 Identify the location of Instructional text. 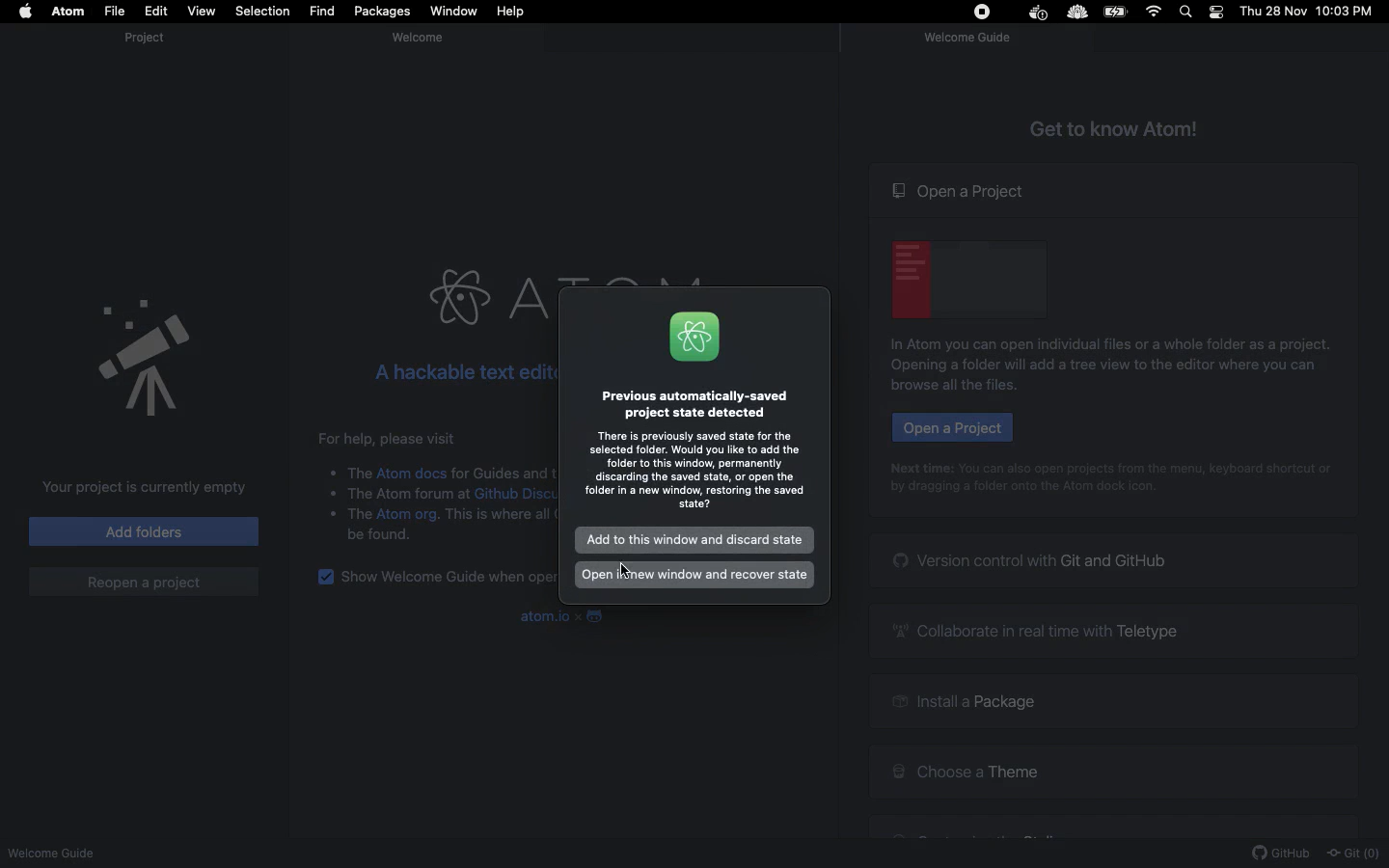
(1100, 344).